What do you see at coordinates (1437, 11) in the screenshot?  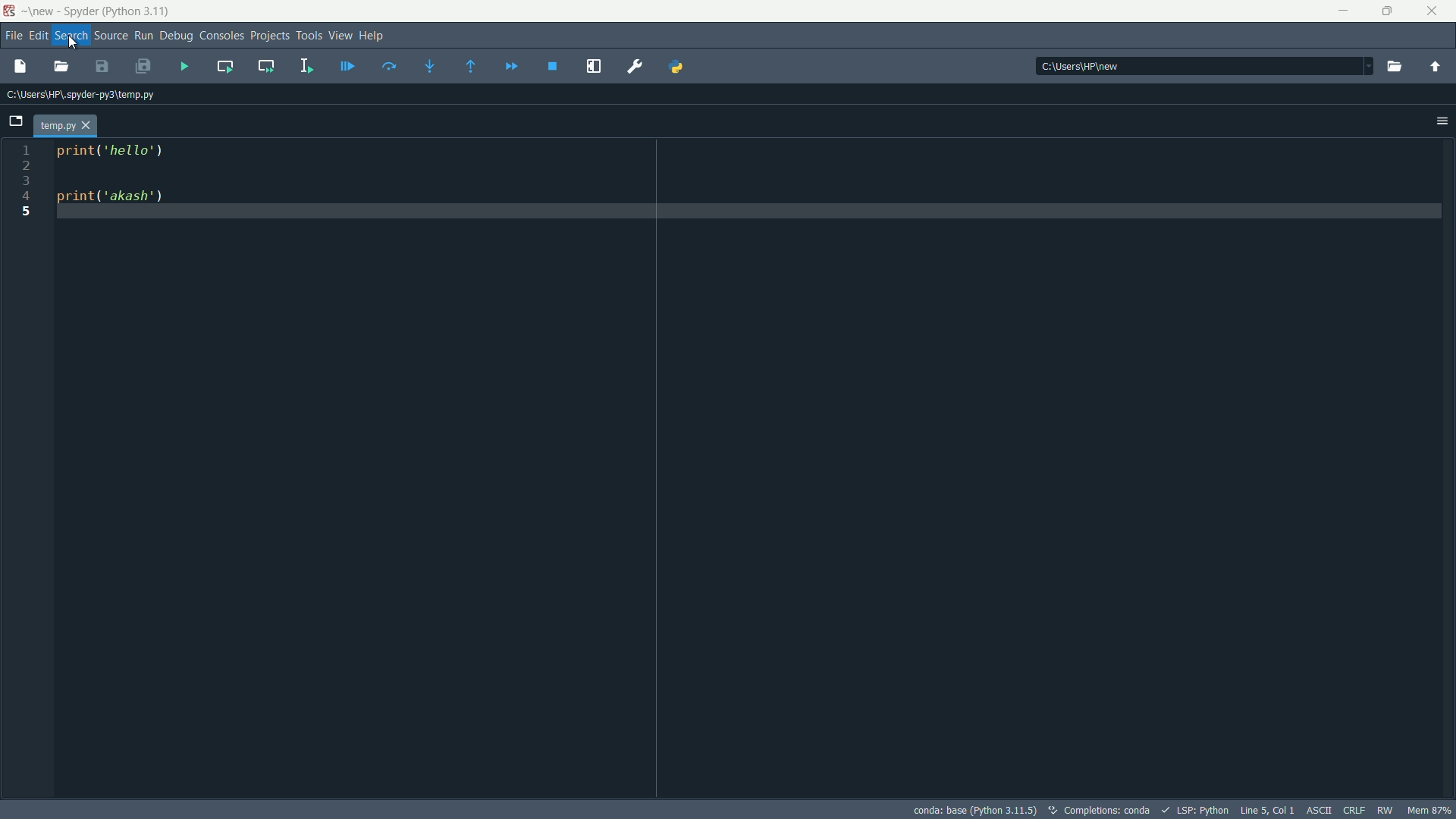 I see `close app` at bounding box center [1437, 11].